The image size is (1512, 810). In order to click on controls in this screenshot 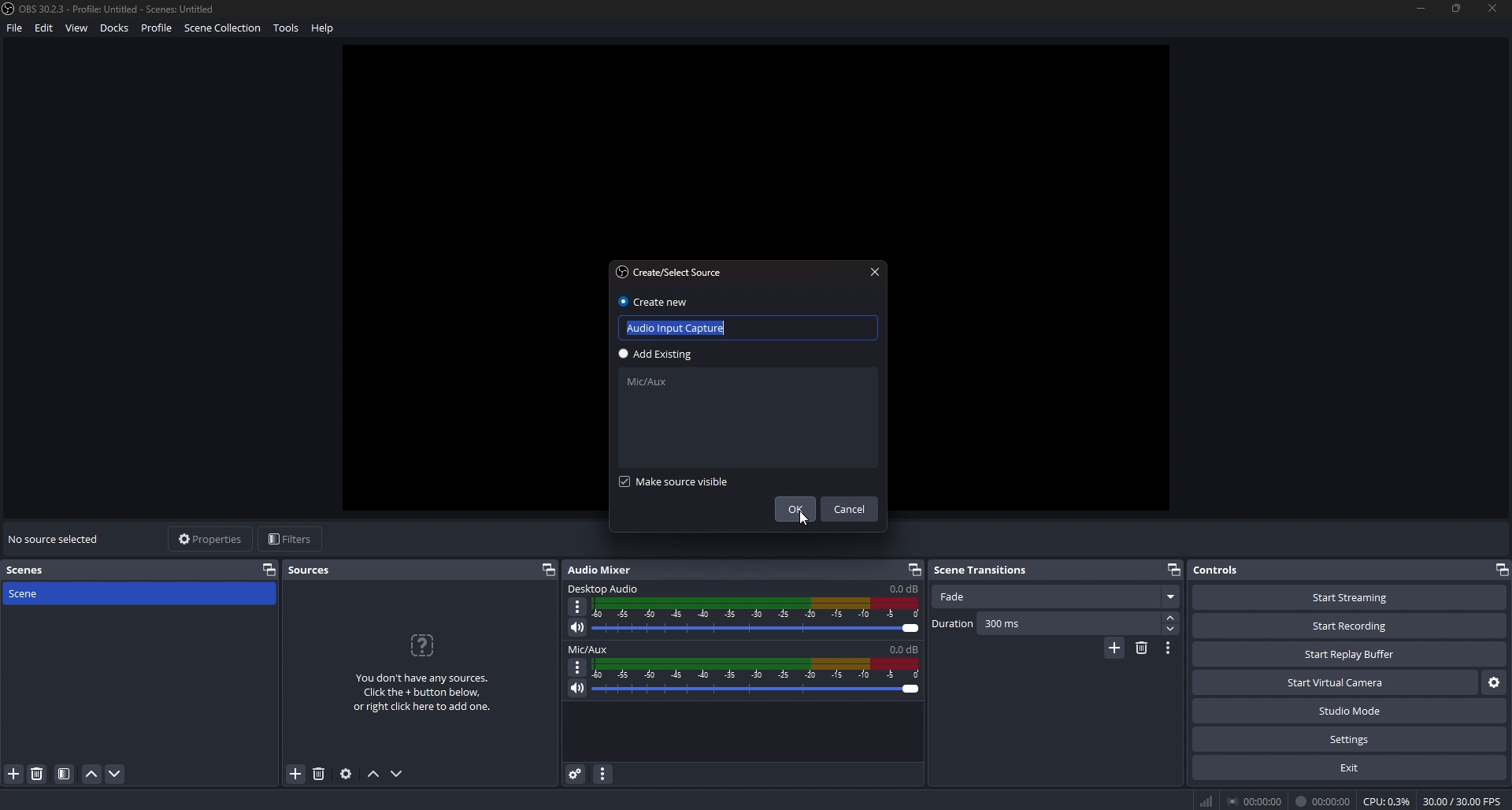, I will do `click(1231, 570)`.